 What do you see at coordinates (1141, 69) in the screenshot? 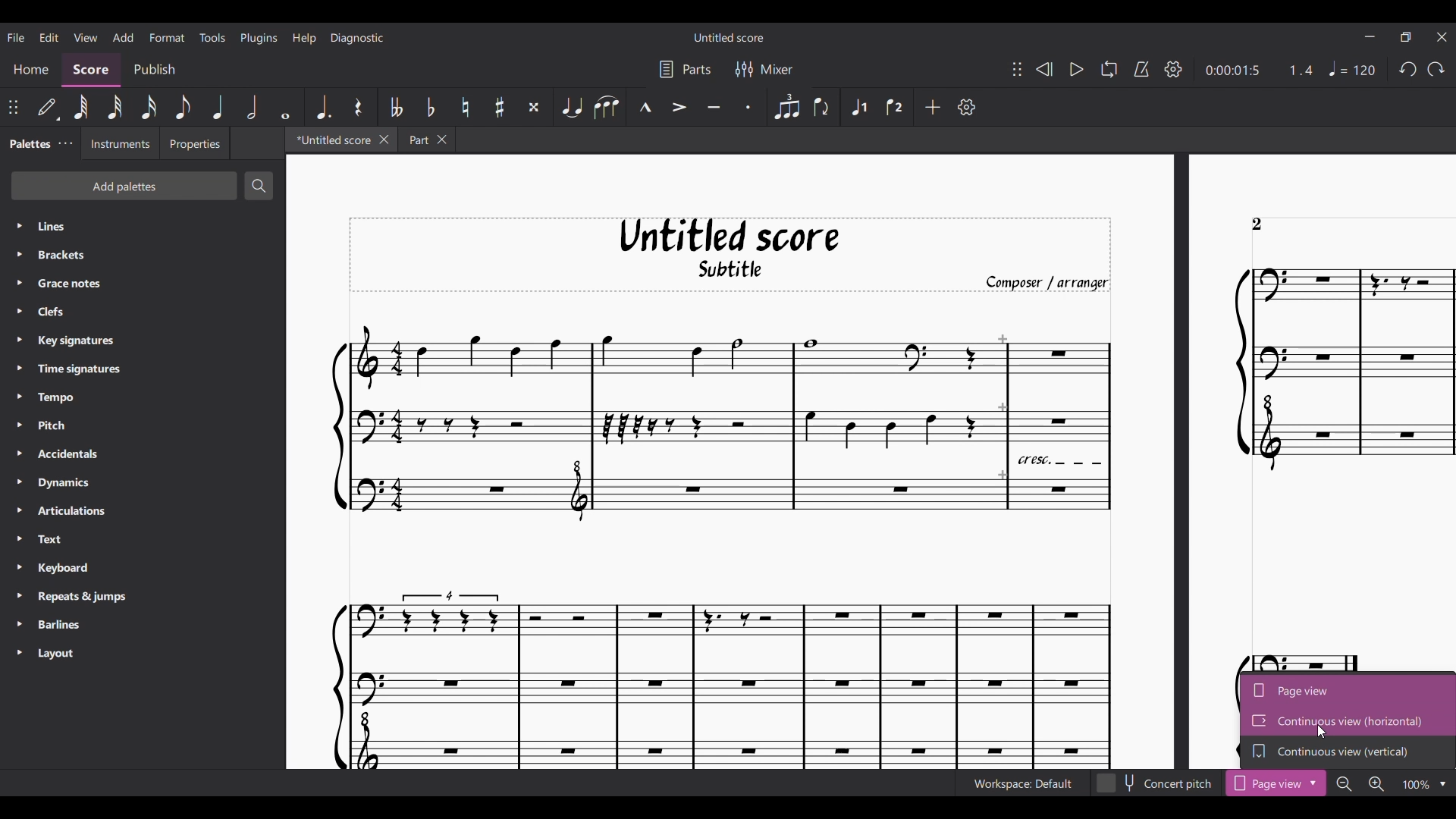
I see `Metronome` at bounding box center [1141, 69].